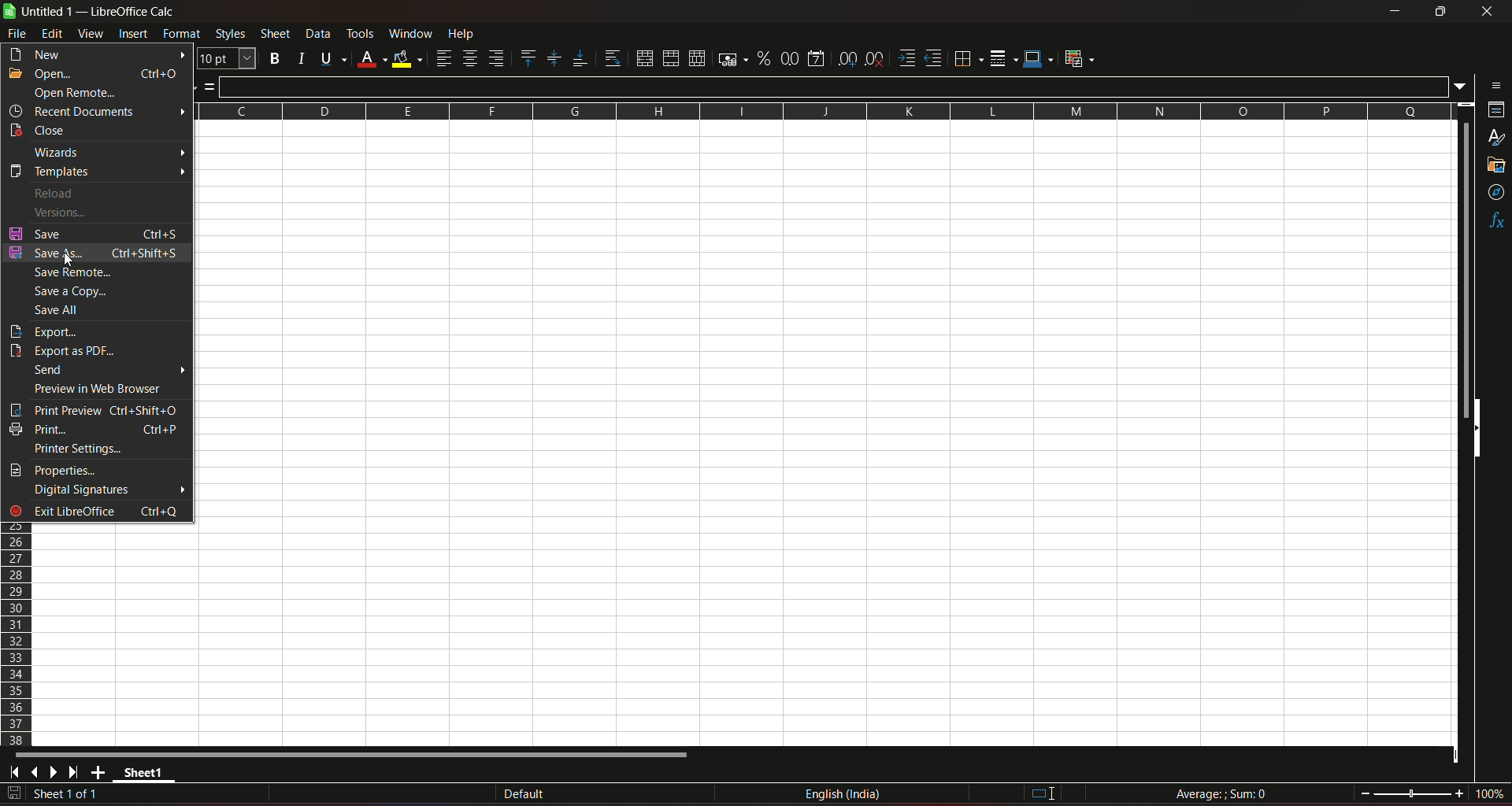 Image resolution: width=1512 pixels, height=806 pixels. I want to click on styles, so click(1496, 139).